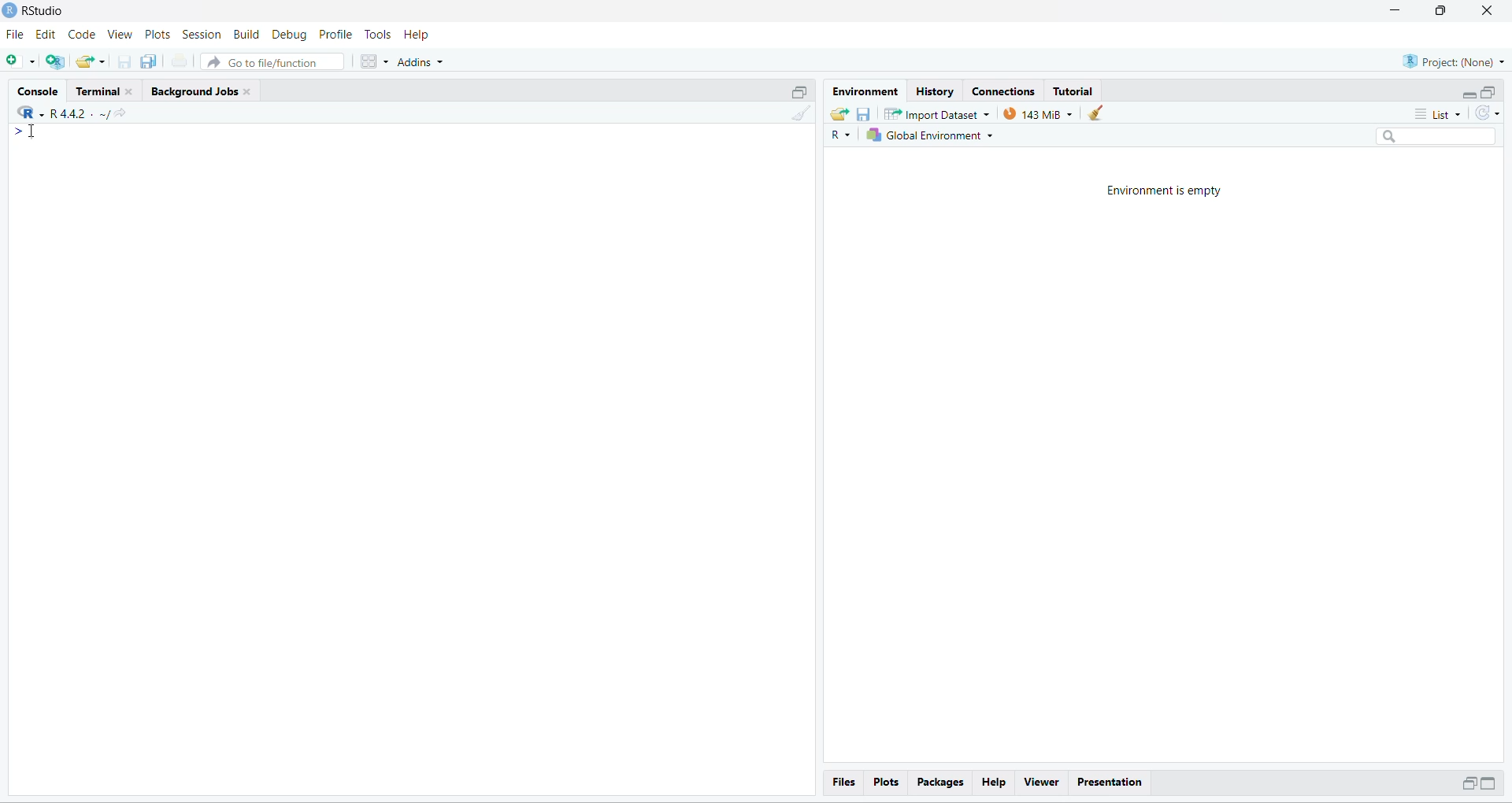 The image size is (1512, 803). What do you see at coordinates (14, 132) in the screenshot?
I see `>` at bounding box center [14, 132].